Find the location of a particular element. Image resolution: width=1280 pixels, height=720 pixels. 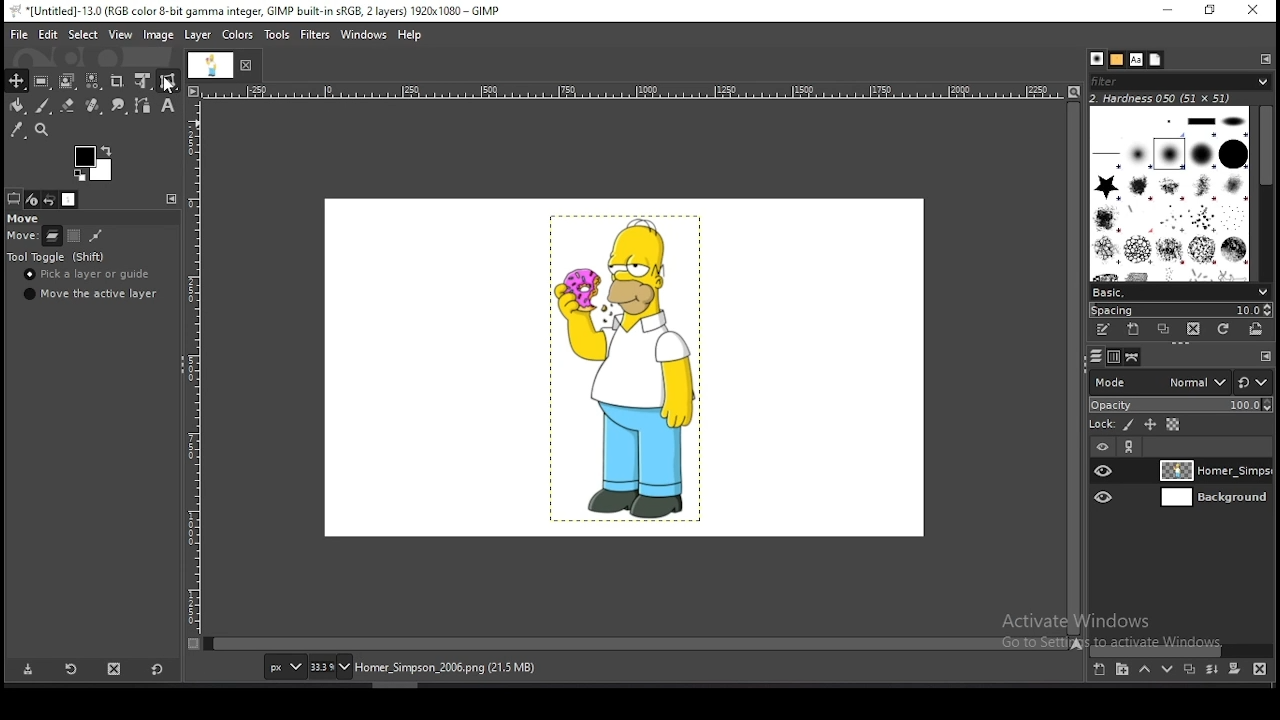

colors is located at coordinates (237, 35).